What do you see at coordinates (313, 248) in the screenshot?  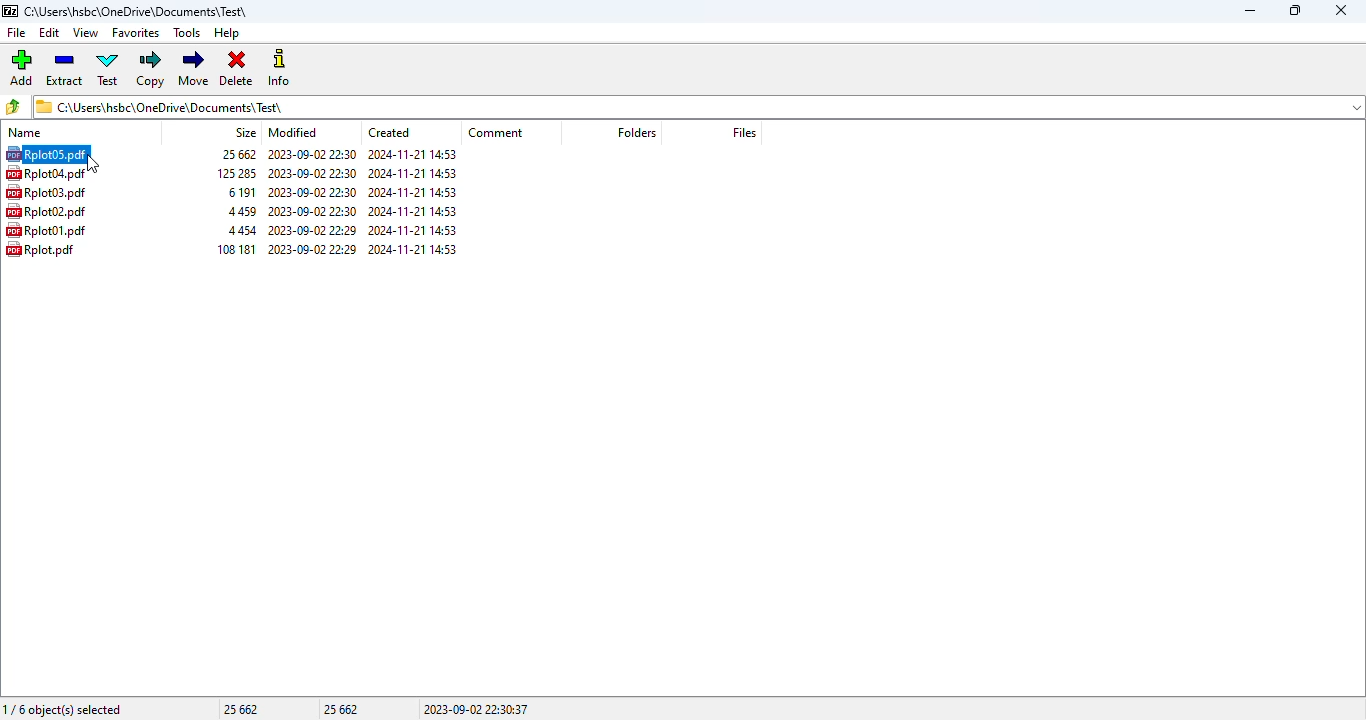 I see `modified date & time` at bounding box center [313, 248].